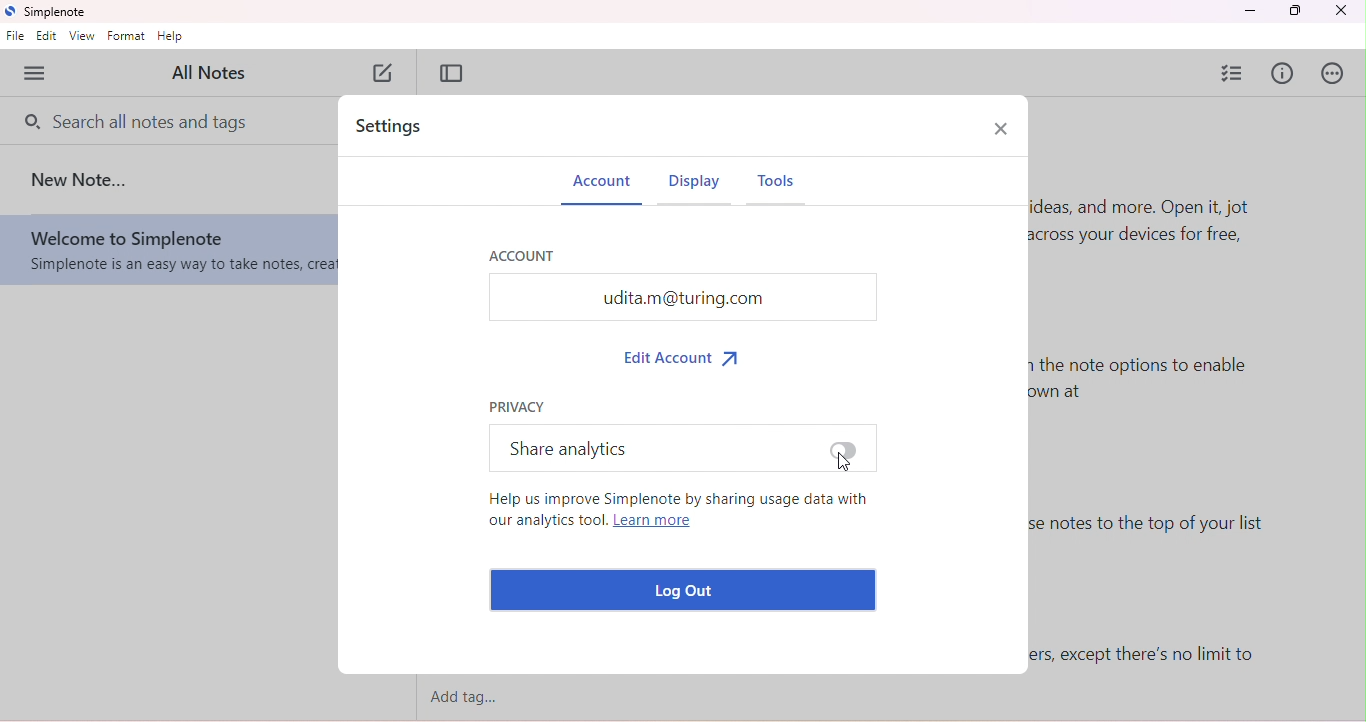 Image resolution: width=1366 pixels, height=722 pixels. I want to click on format, so click(126, 36).